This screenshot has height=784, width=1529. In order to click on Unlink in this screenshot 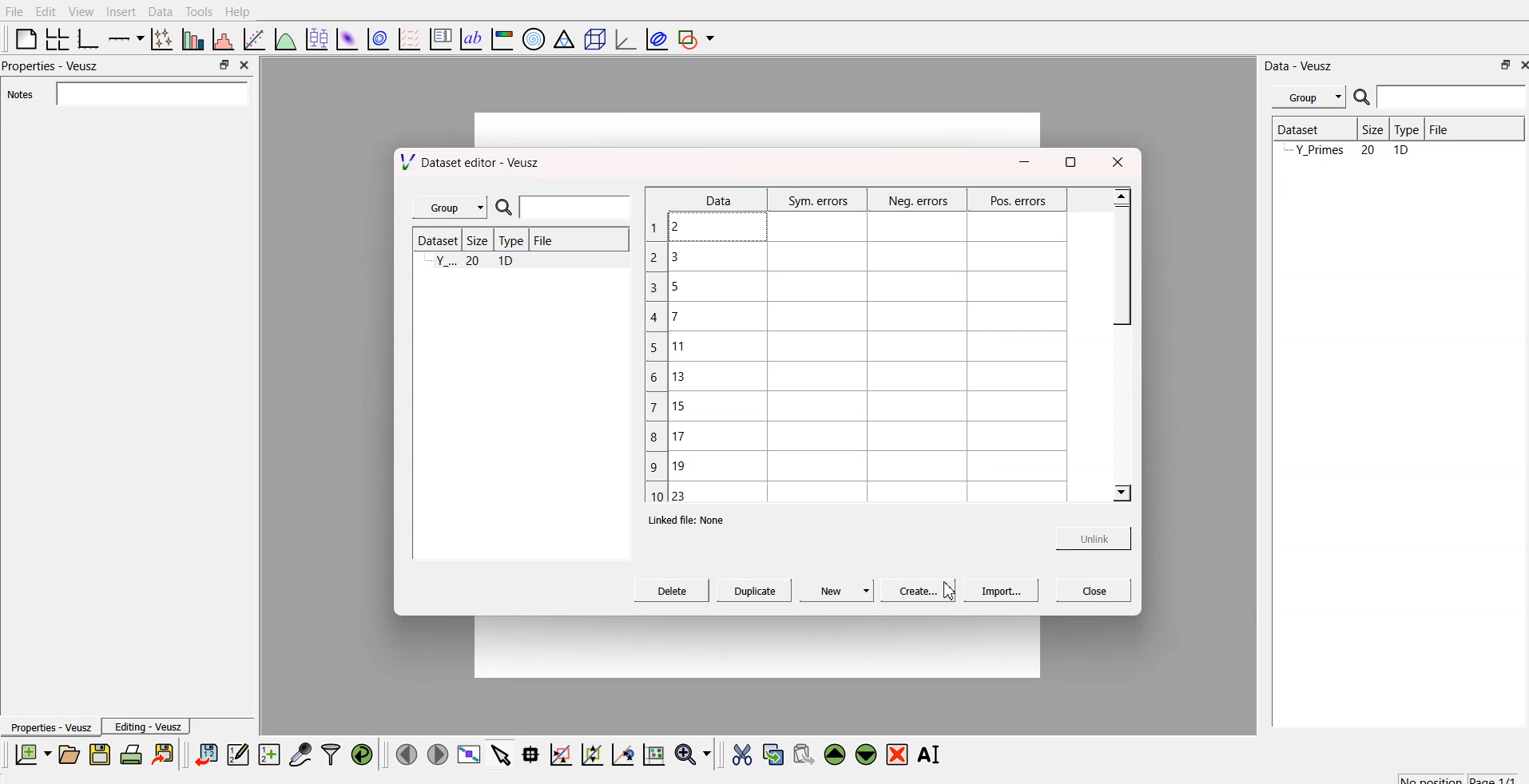, I will do `click(1086, 538)`.